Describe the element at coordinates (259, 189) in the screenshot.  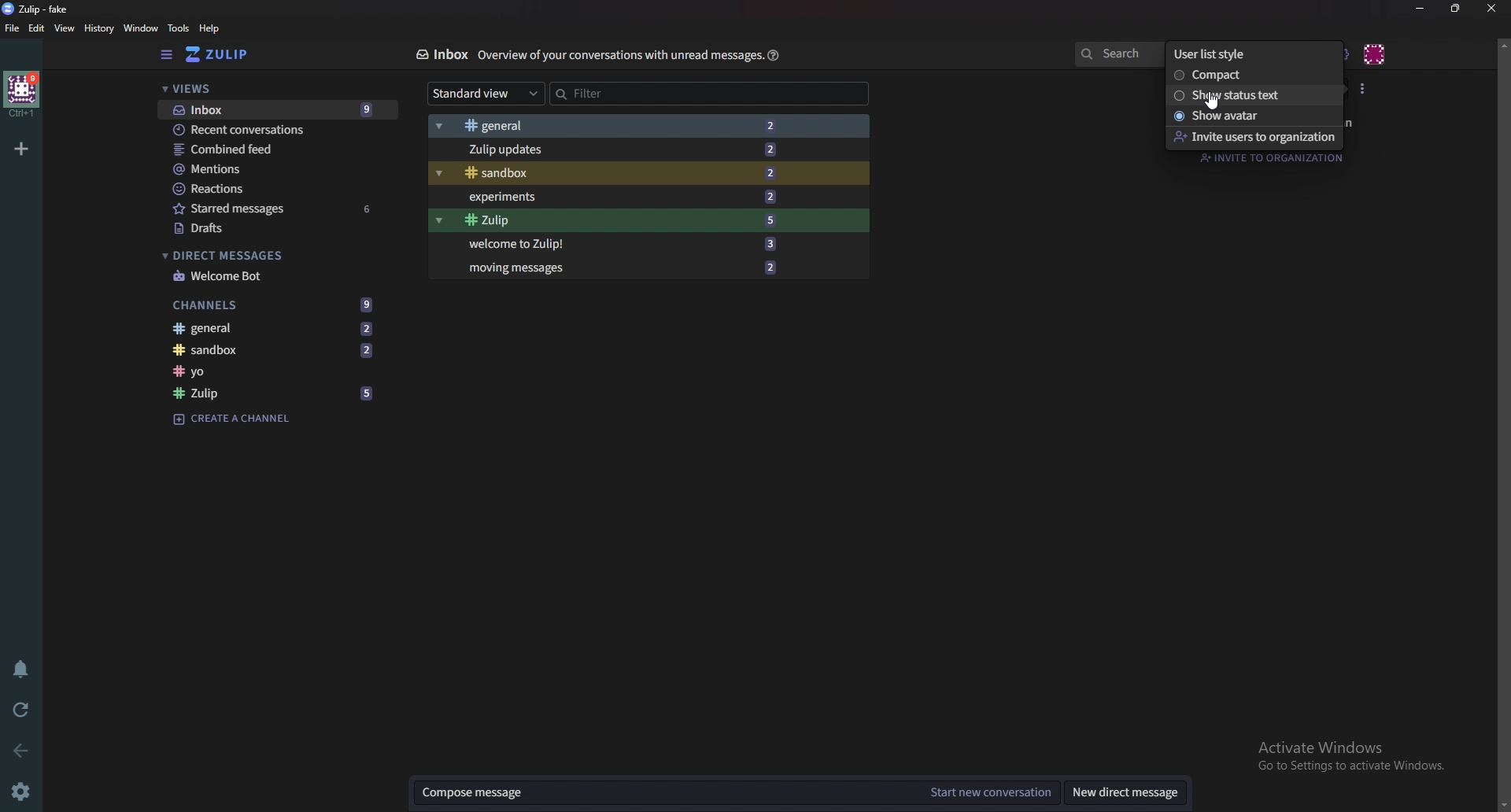
I see `Reactions` at that location.